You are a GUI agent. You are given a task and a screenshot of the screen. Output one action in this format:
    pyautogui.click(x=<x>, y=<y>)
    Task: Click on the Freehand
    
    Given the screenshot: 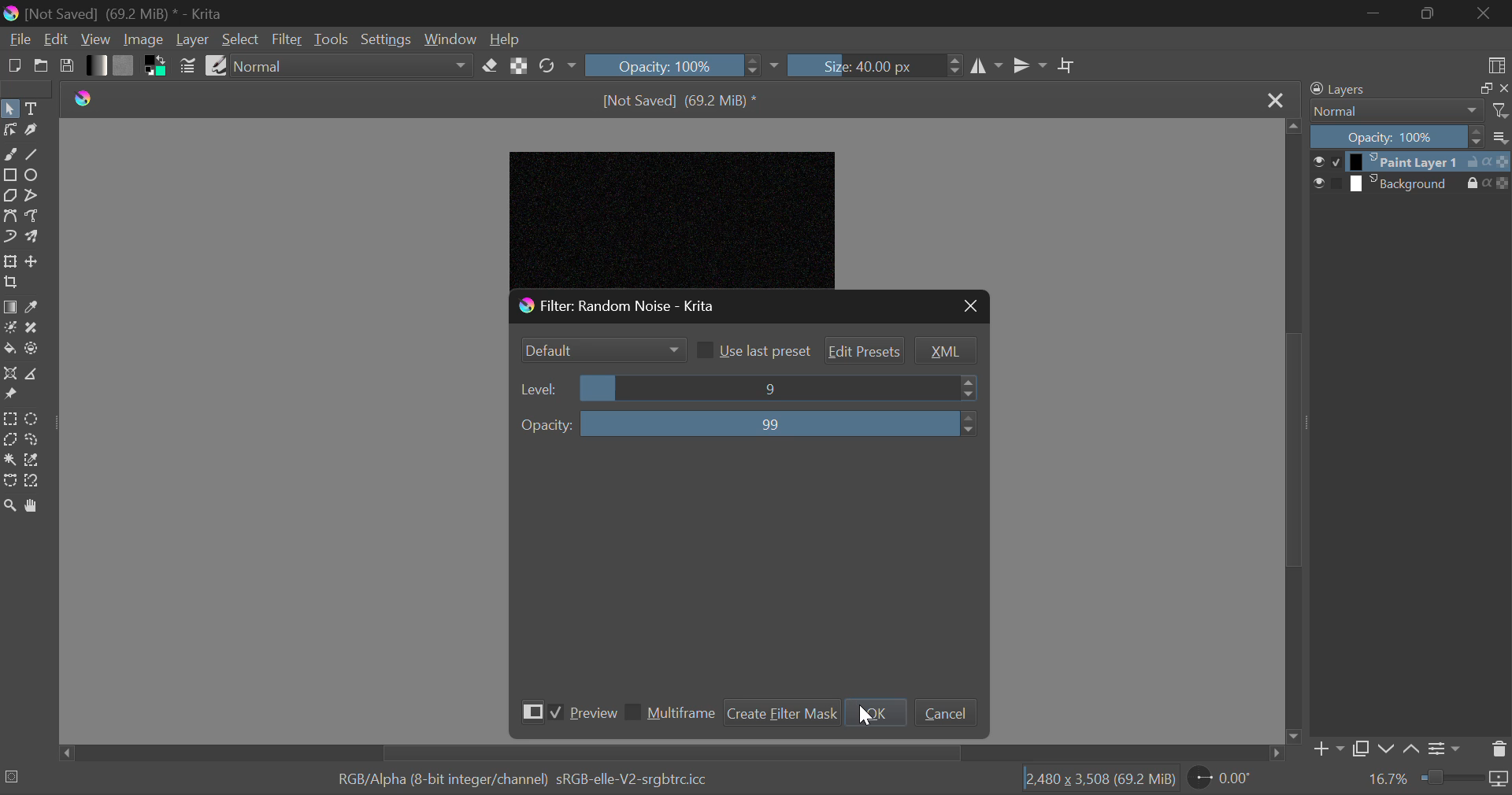 What is the action you would take?
    pyautogui.click(x=9, y=154)
    